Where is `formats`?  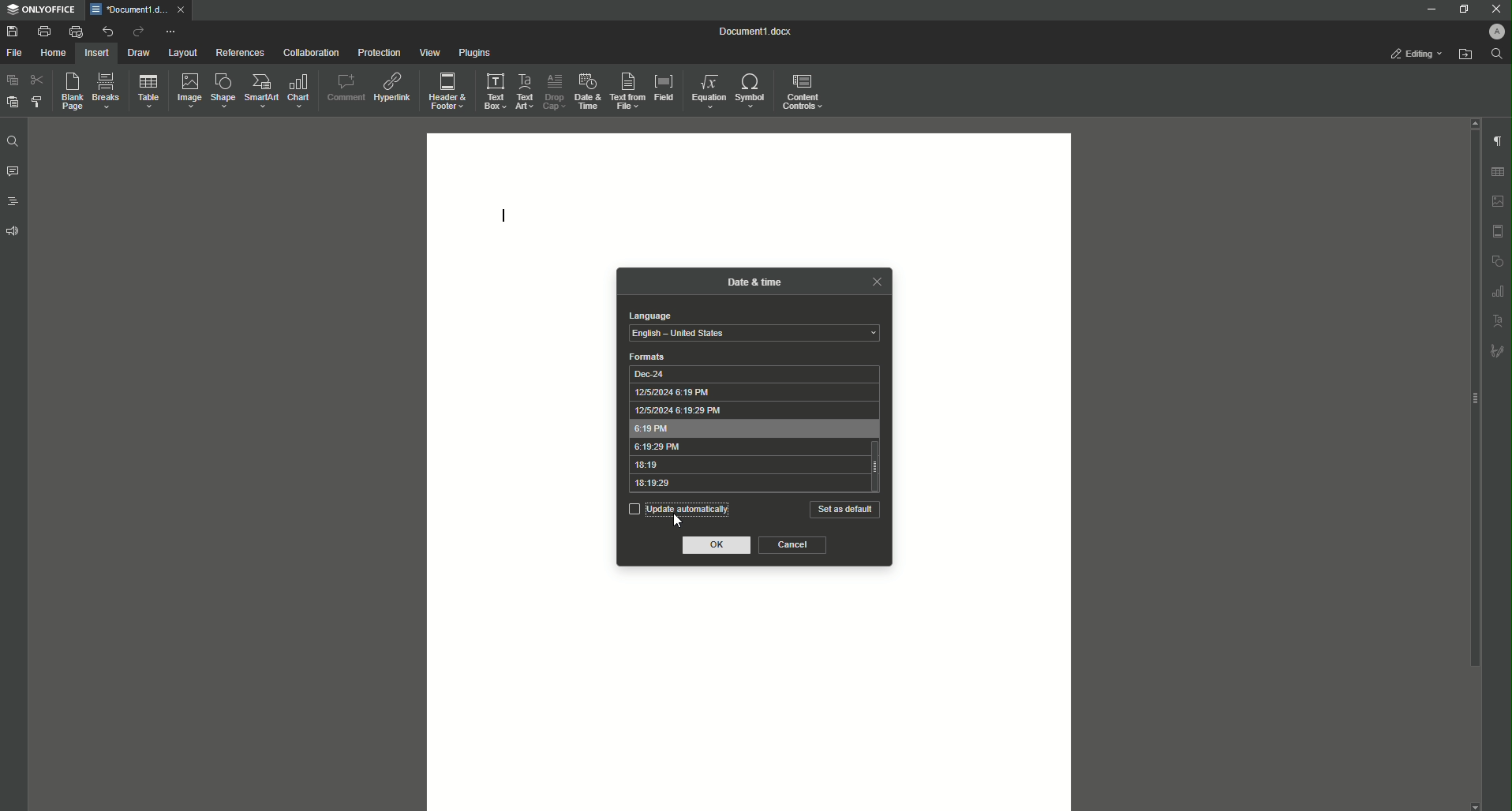 formats is located at coordinates (648, 357).